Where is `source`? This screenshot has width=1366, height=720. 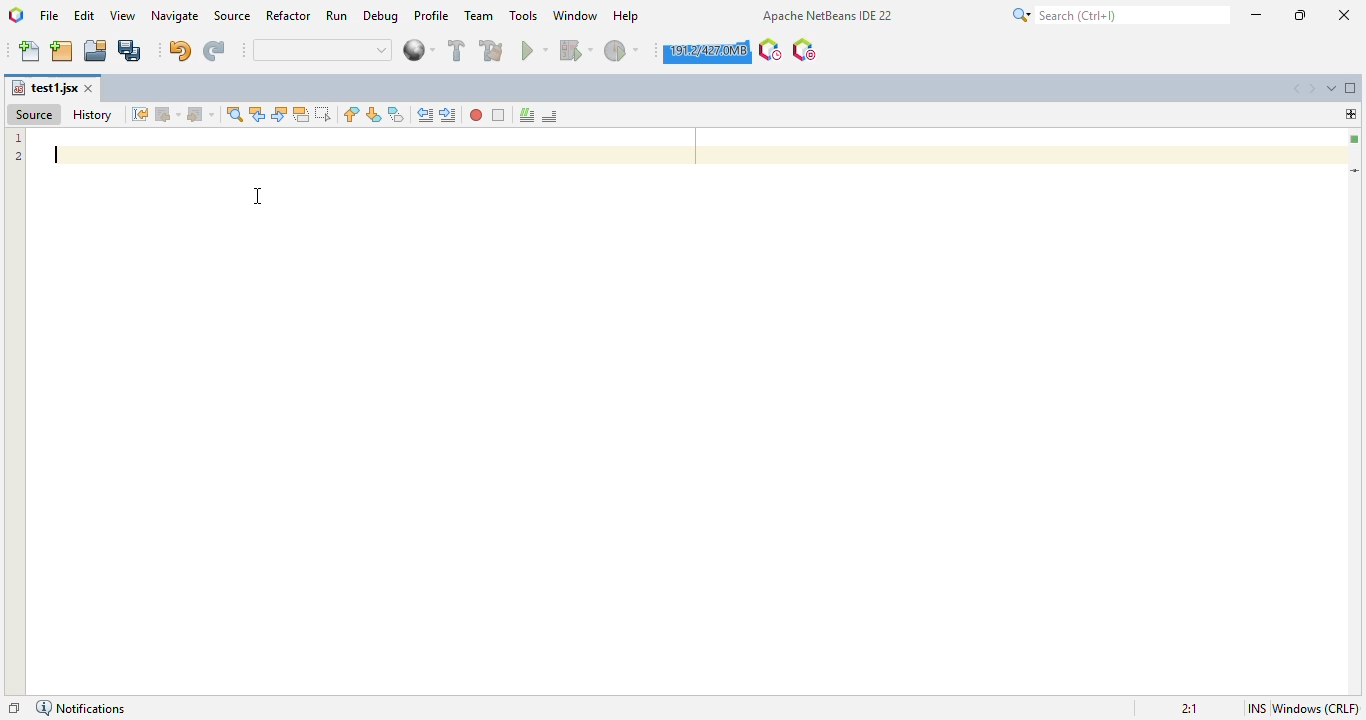 source is located at coordinates (36, 115).